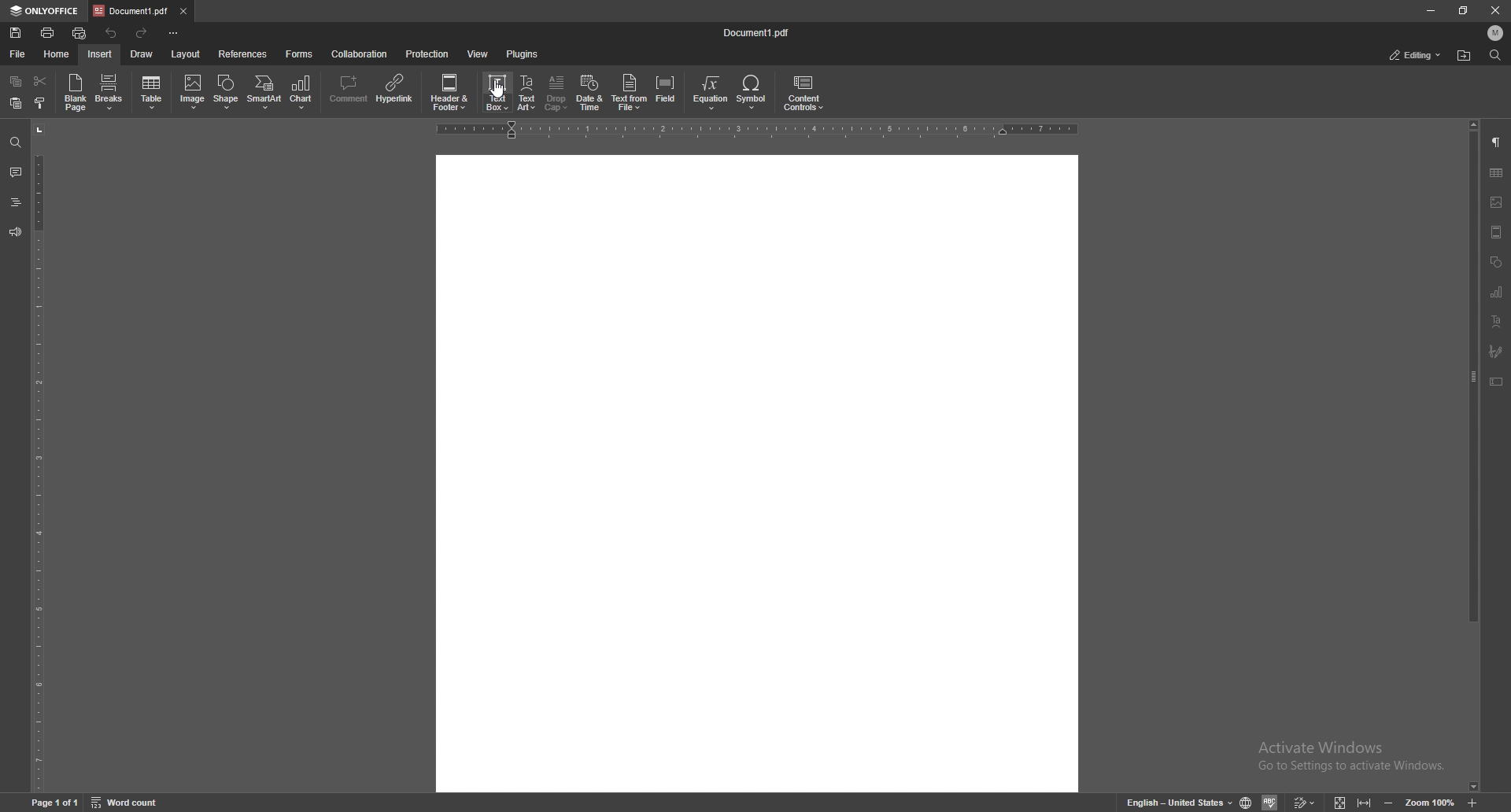 The height and width of the screenshot is (812, 1511). Describe the element at coordinates (38, 457) in the screenshot. I see `vertical scale` at that location.